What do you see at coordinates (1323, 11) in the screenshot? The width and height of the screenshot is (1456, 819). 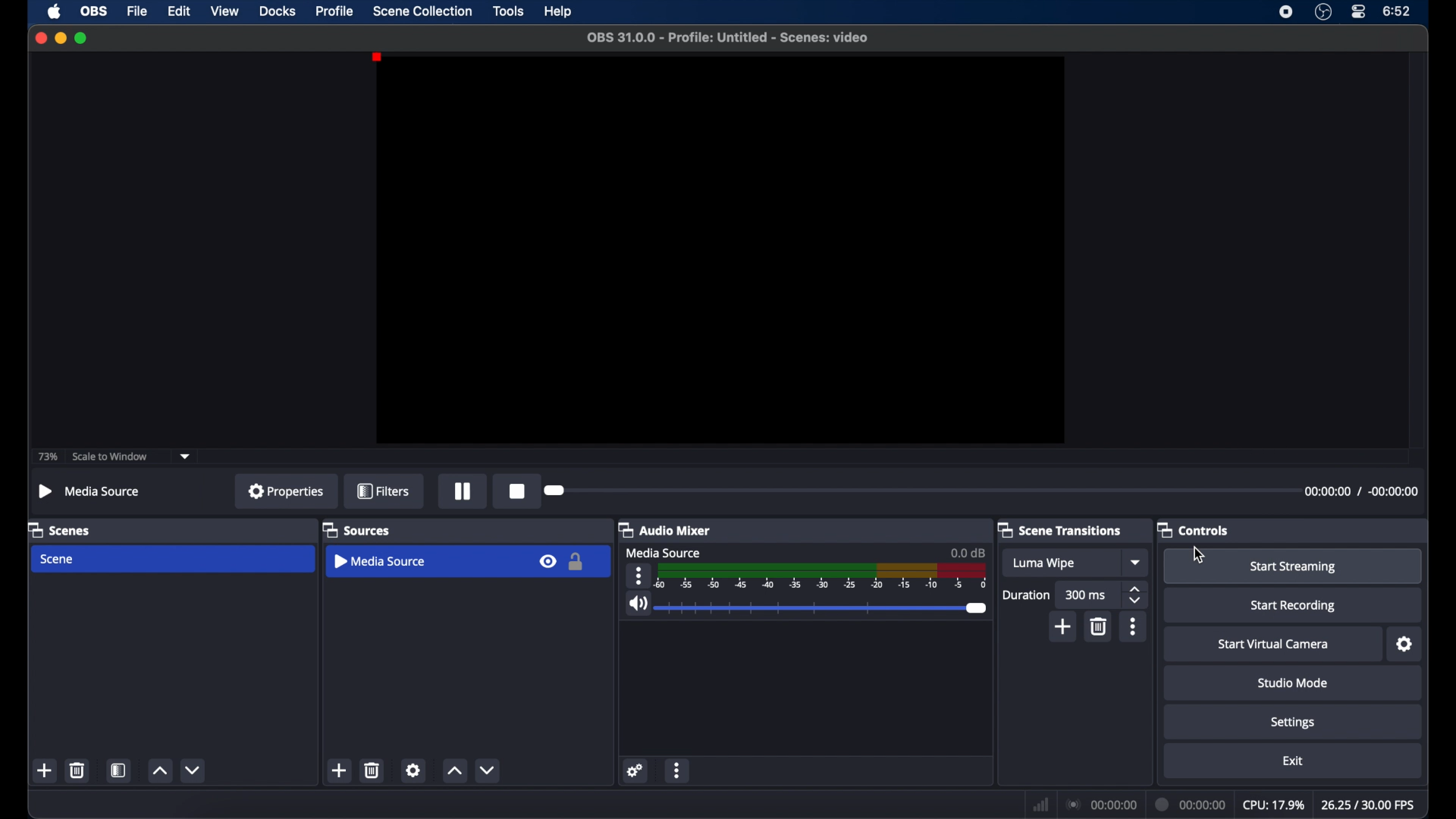 I see `obs studio` at bounding box center [1323, 11].